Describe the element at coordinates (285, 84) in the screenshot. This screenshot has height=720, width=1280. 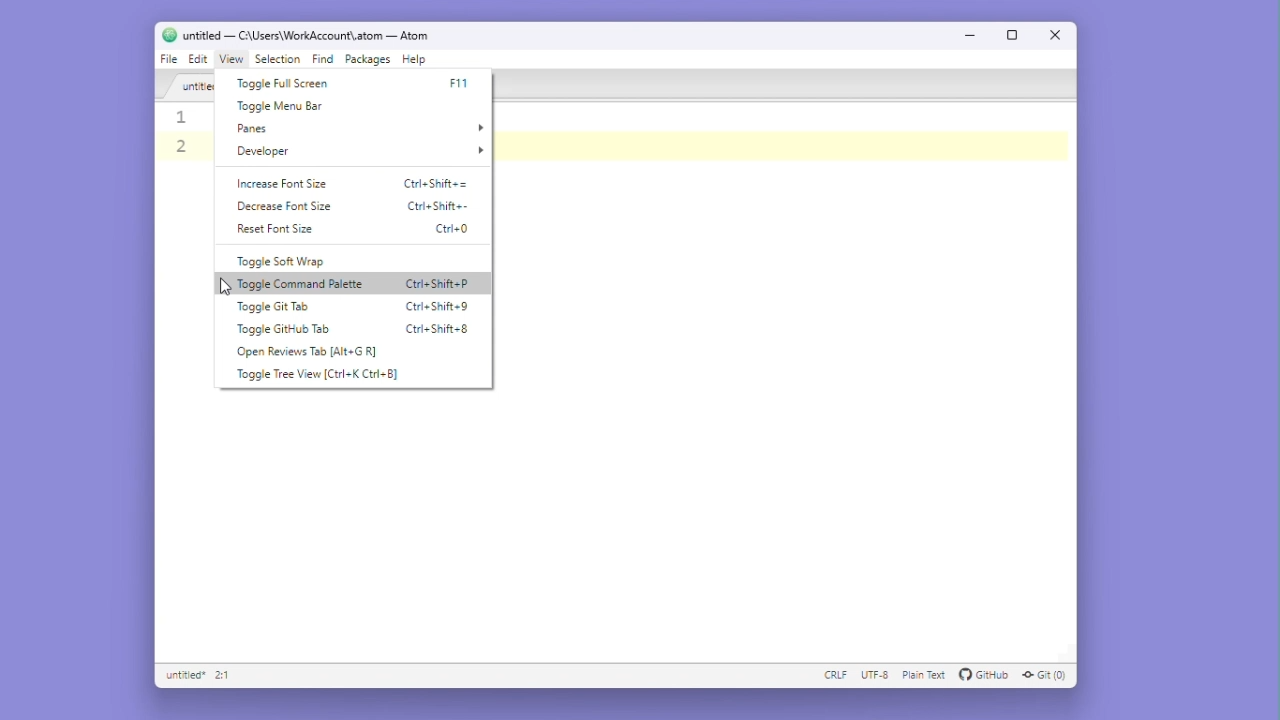
I see `toggle full screen` at that location.